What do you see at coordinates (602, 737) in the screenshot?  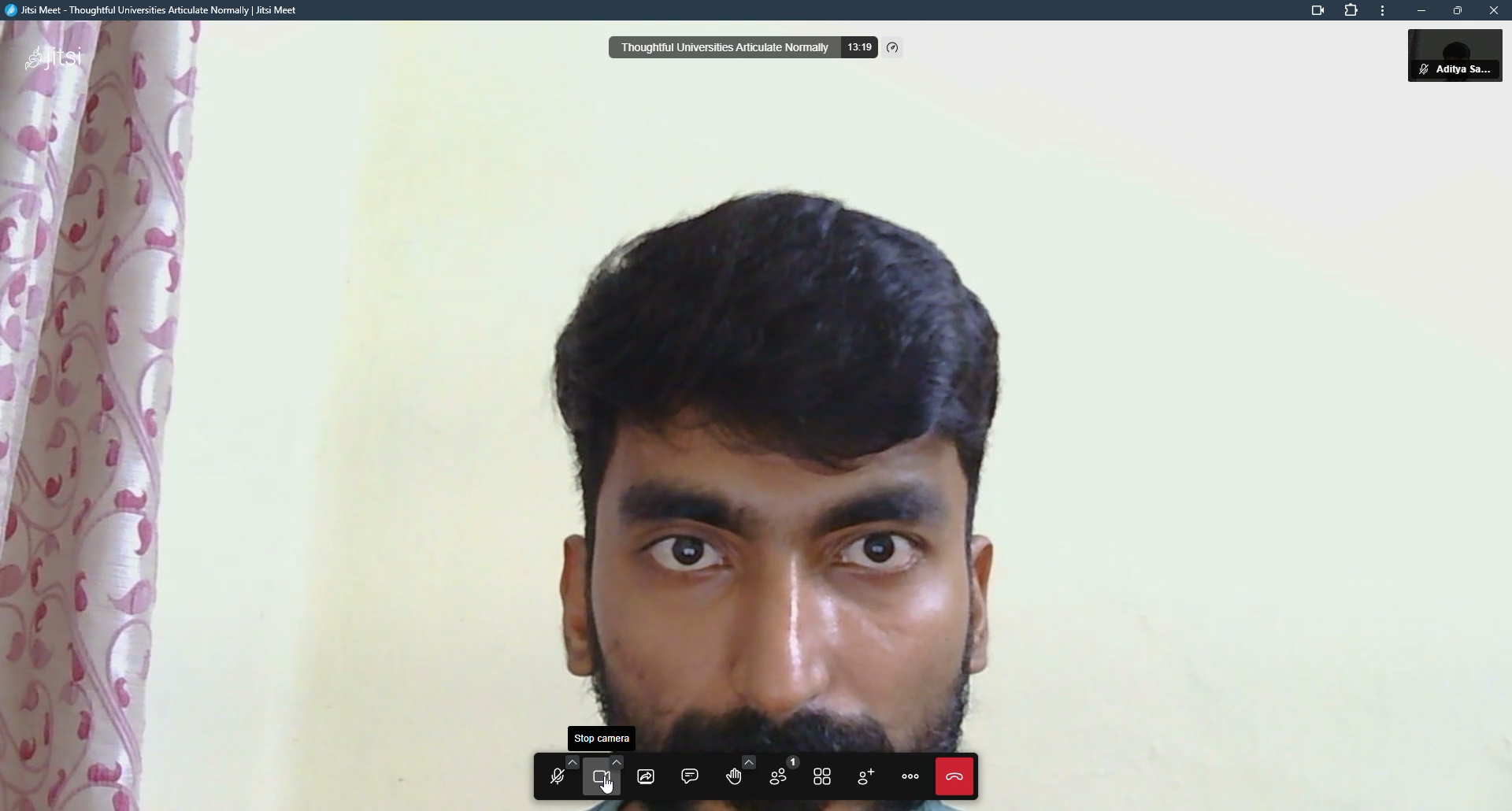 I see `start camera` at bounding box center [602, 737].